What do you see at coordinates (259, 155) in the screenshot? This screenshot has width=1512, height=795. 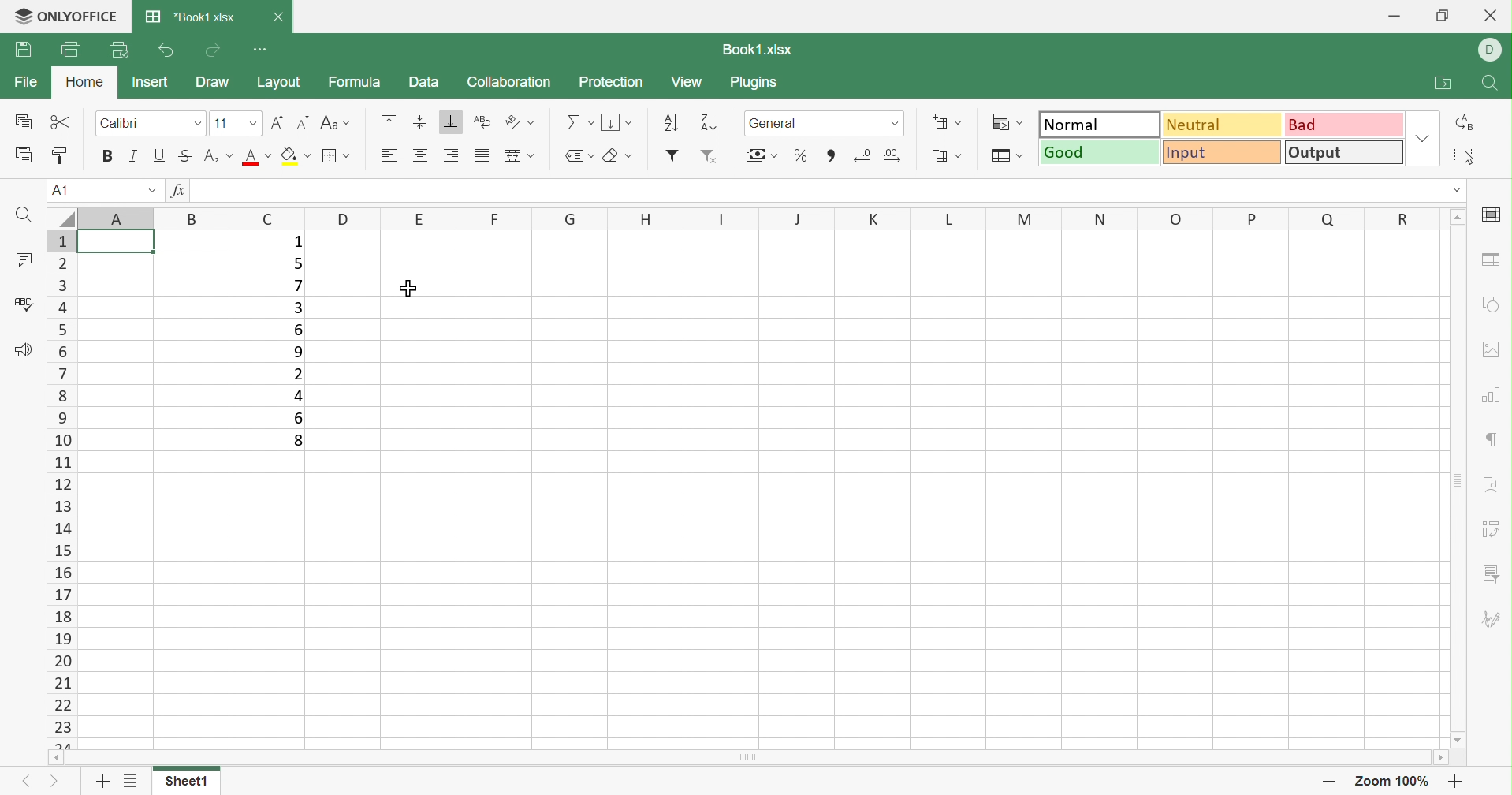 I see `Font color` at bounding box center [259, 155].